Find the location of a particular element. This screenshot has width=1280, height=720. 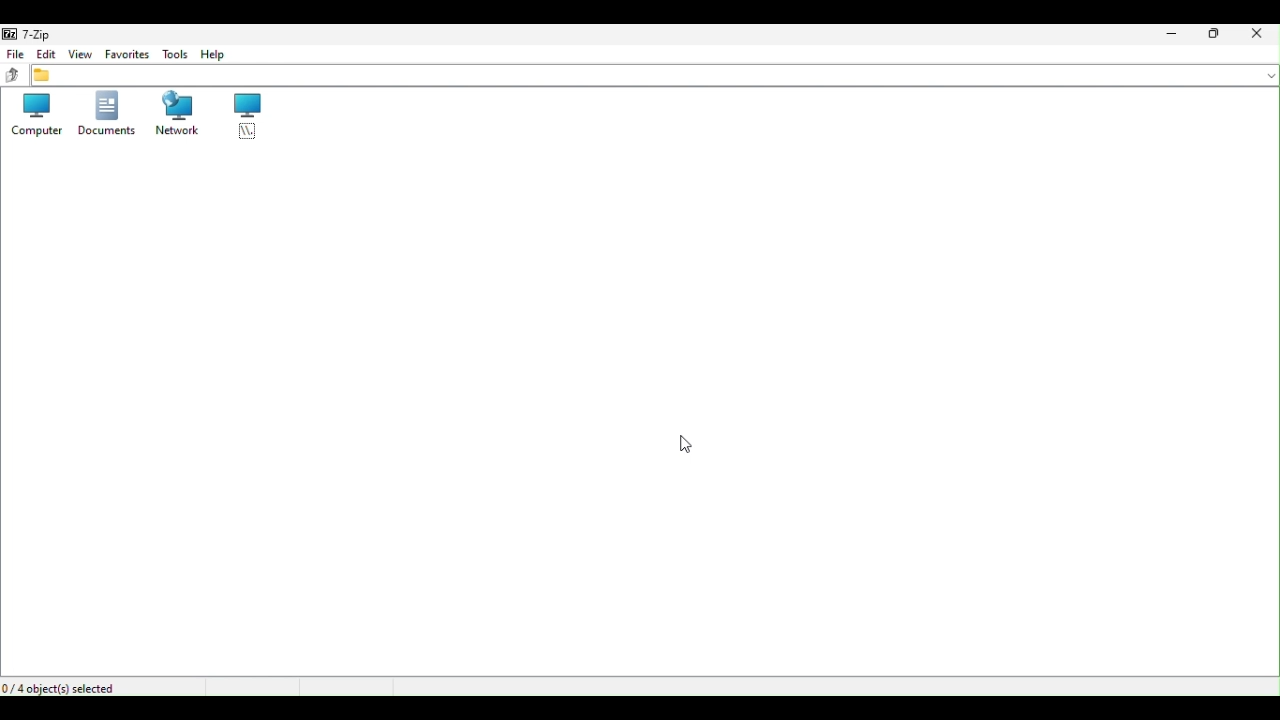

Restore is located at coordinates (1216, 36).